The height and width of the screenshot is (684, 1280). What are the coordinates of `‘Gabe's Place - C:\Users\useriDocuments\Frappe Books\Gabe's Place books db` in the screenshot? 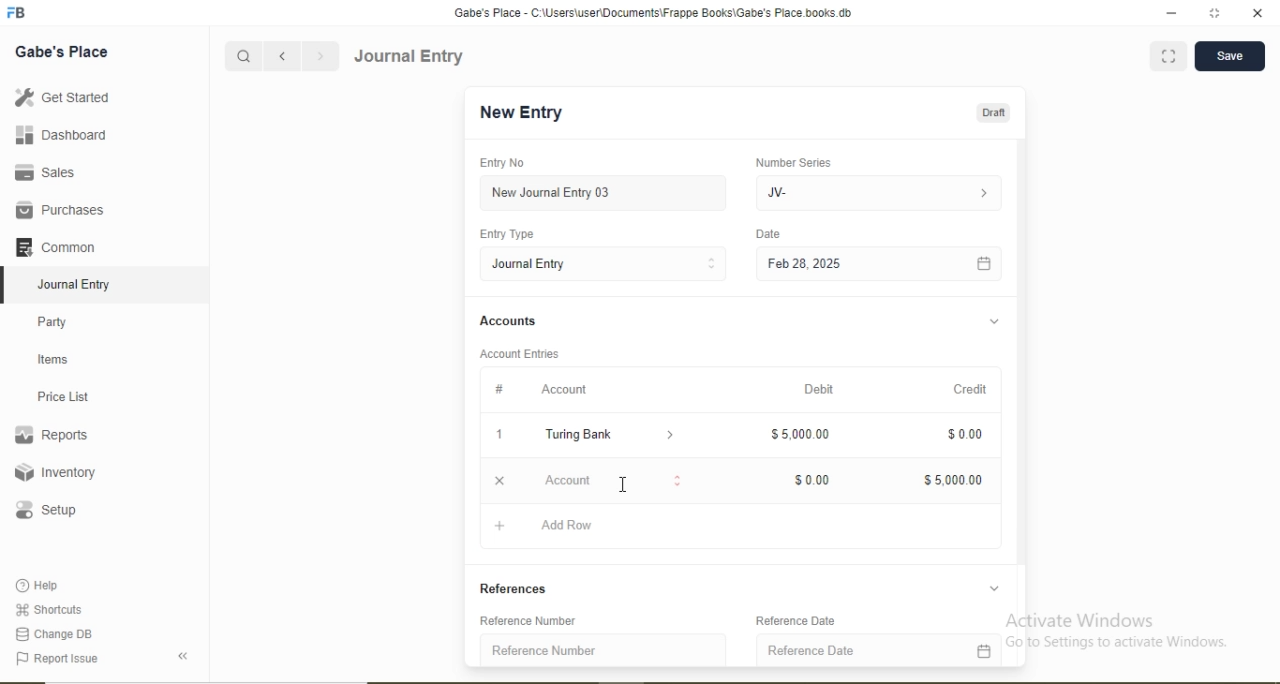 It's located at (652, 13).